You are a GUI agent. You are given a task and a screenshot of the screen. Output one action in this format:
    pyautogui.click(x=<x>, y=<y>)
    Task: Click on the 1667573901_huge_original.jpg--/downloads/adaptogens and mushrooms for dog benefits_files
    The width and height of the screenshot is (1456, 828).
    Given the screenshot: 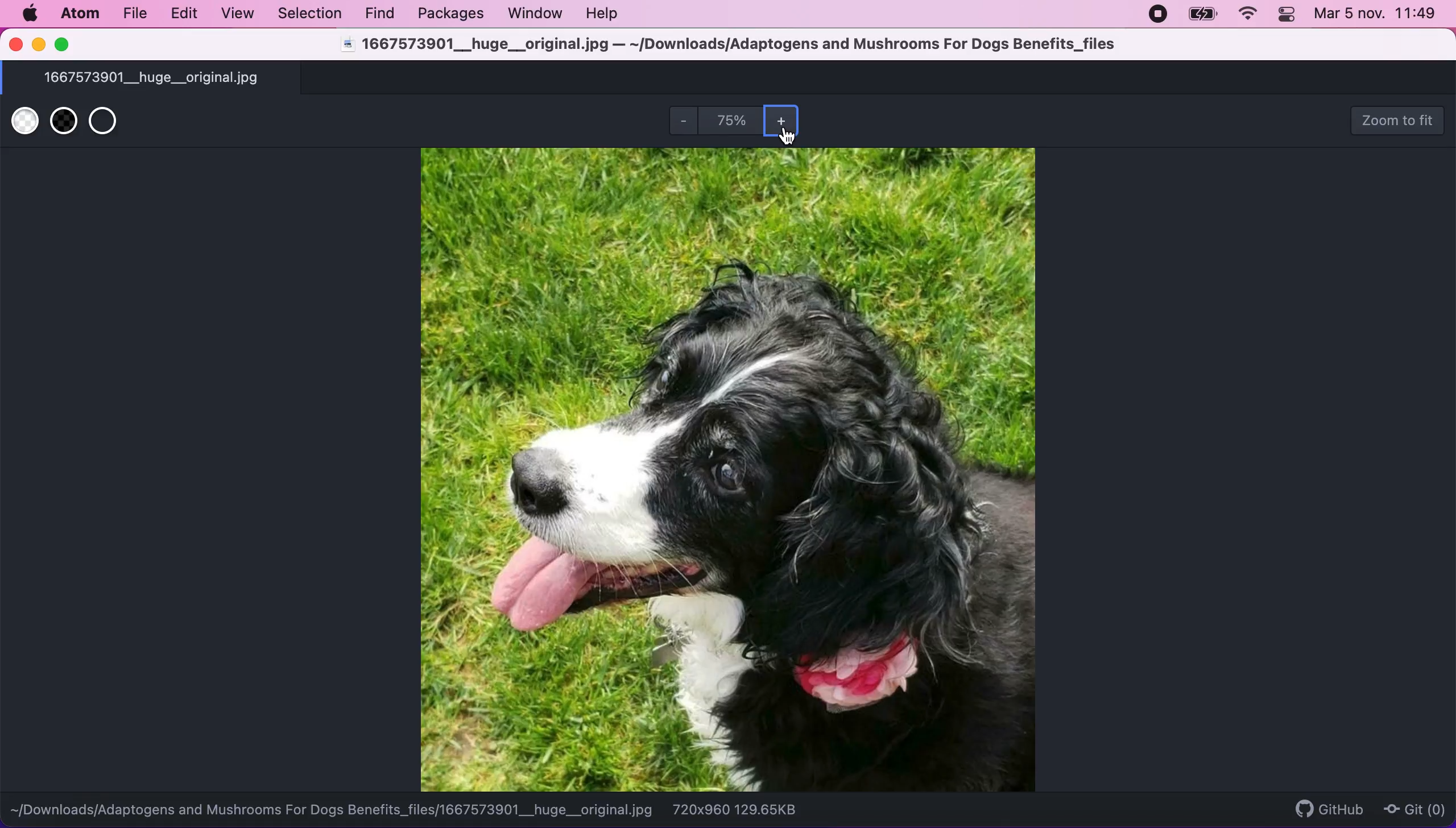 What is the action you would take?
    pyautogui.click(x=731, y=47)
    